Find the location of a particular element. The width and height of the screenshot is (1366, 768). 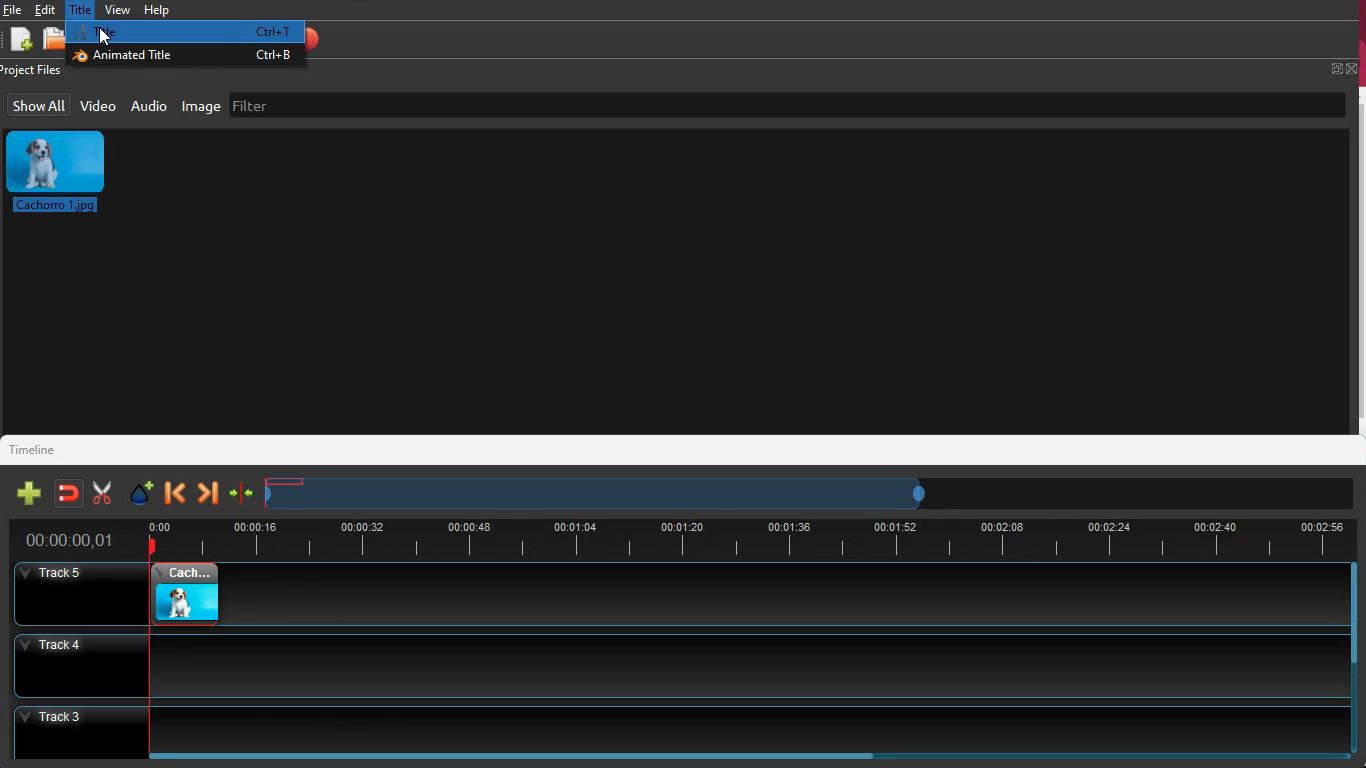

add is located at coordinates (20, 41).